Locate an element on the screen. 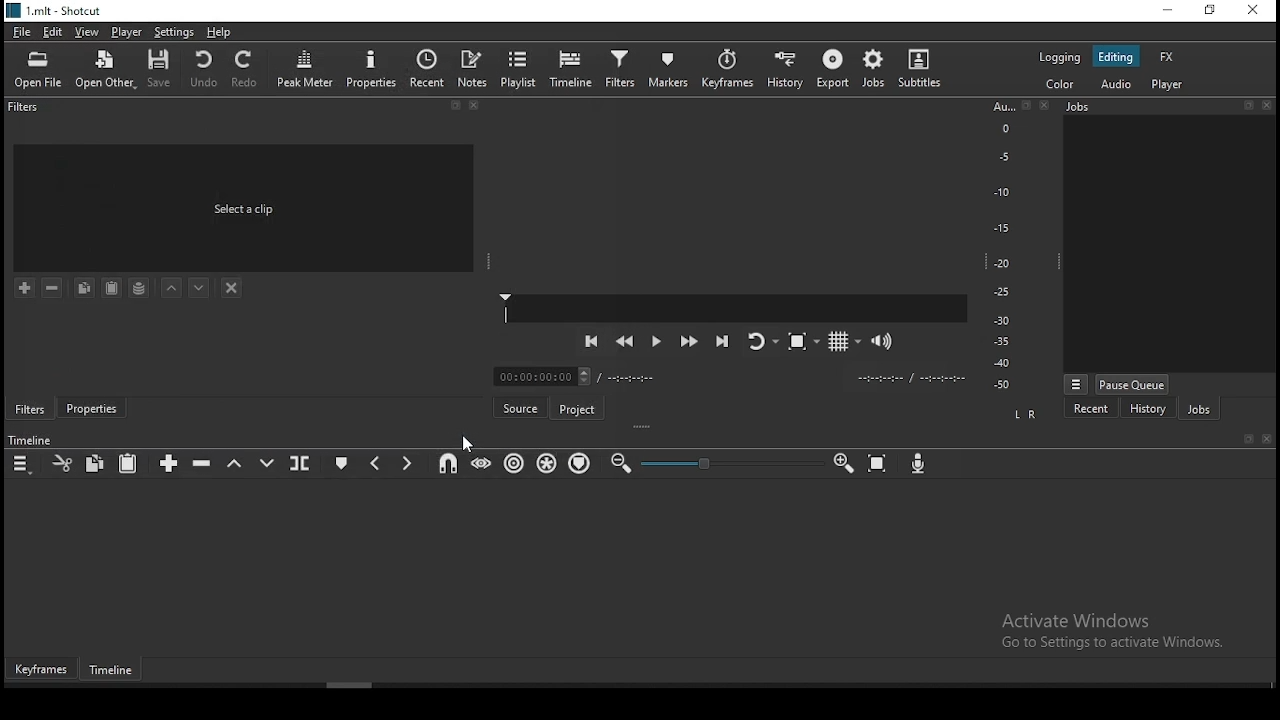  Left and Right is located at coordinates (1028, 414).